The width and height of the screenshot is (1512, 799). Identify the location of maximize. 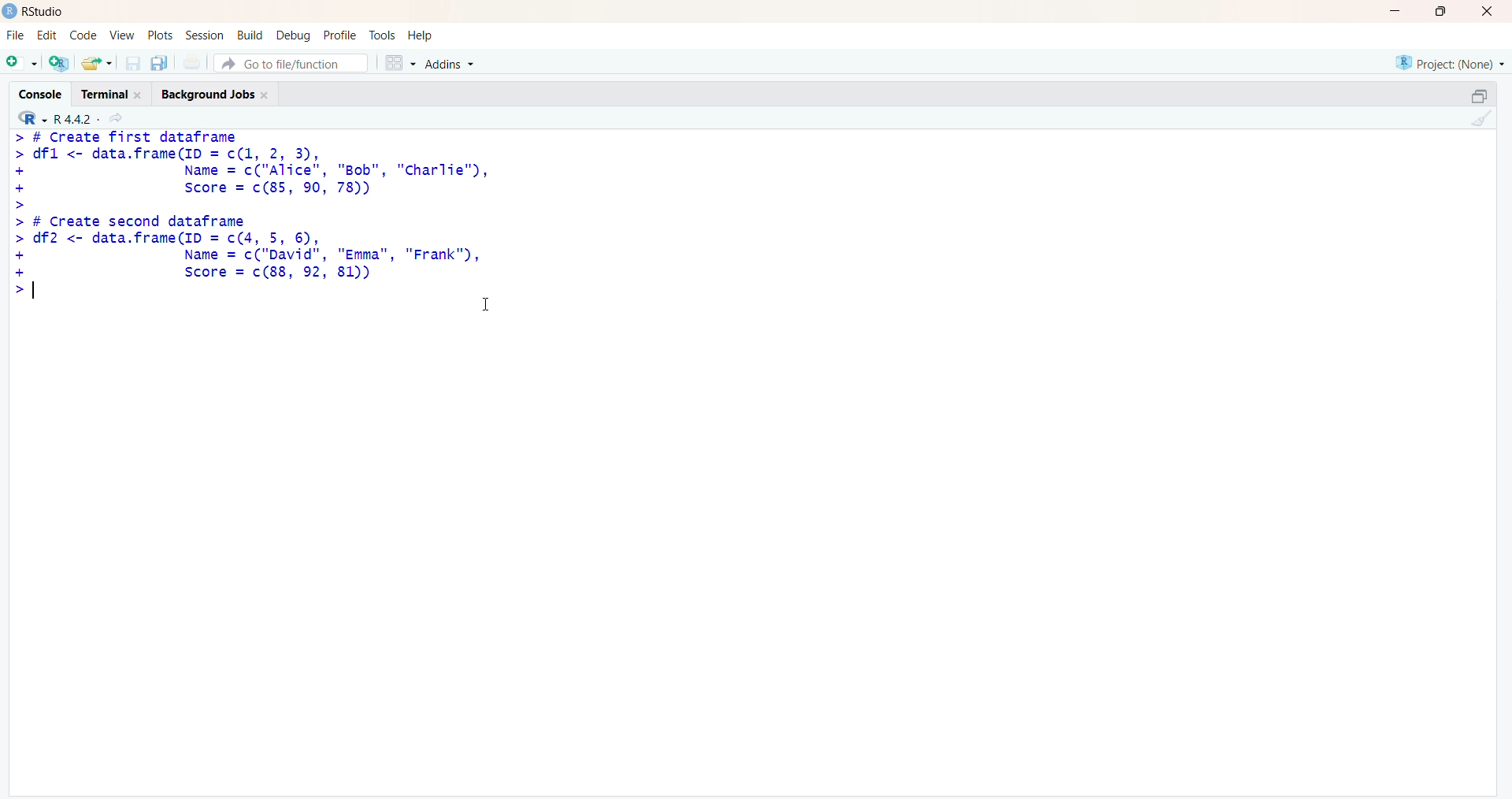
(1441, 11).